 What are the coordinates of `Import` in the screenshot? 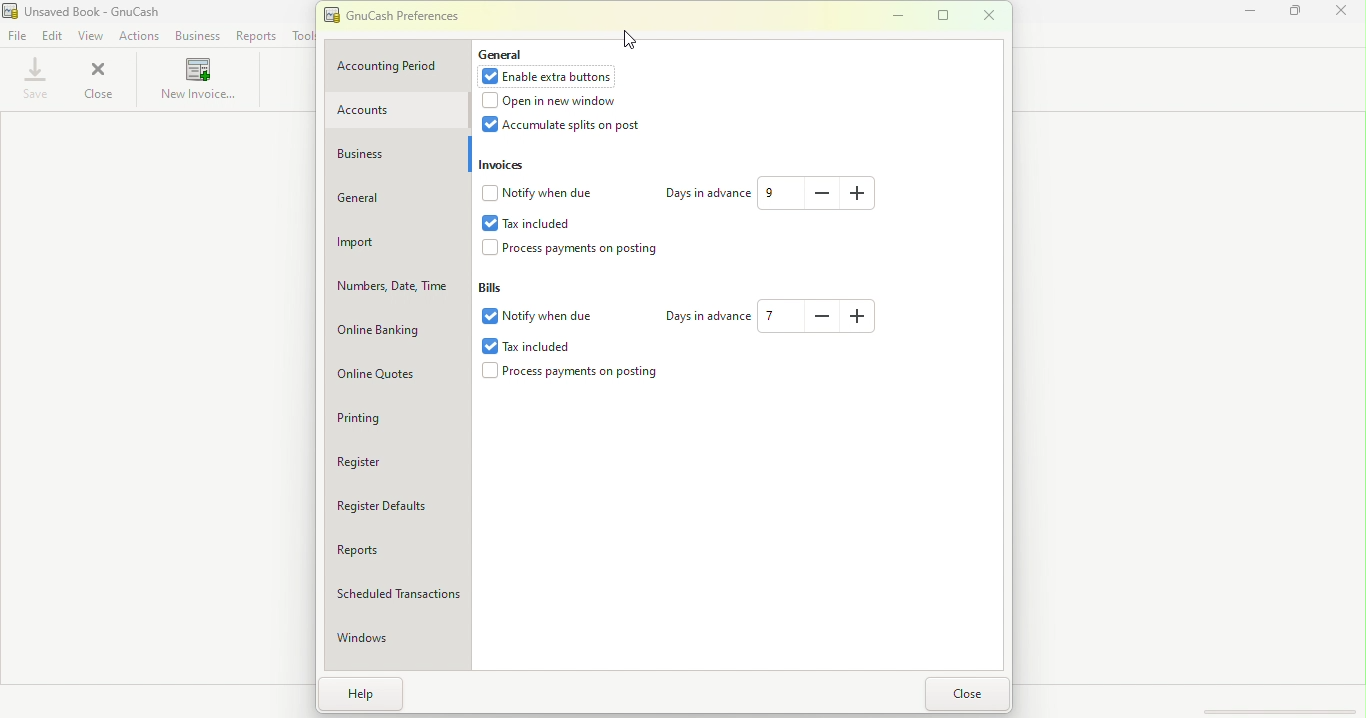 It's located at (388, 242).